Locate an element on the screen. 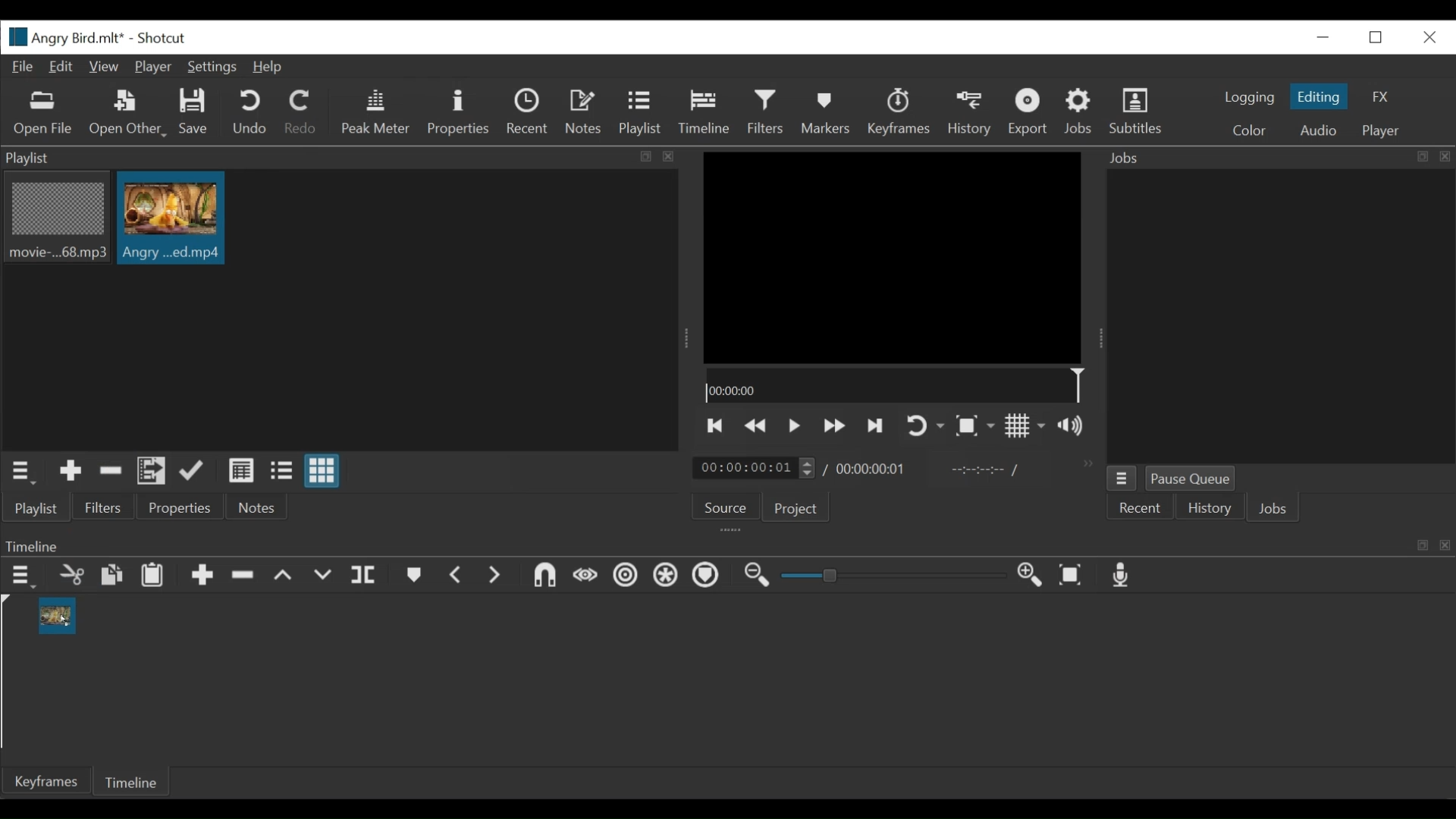 The image size is (1456, 819). Ripple all tracks is located at coordinates (666, 576).